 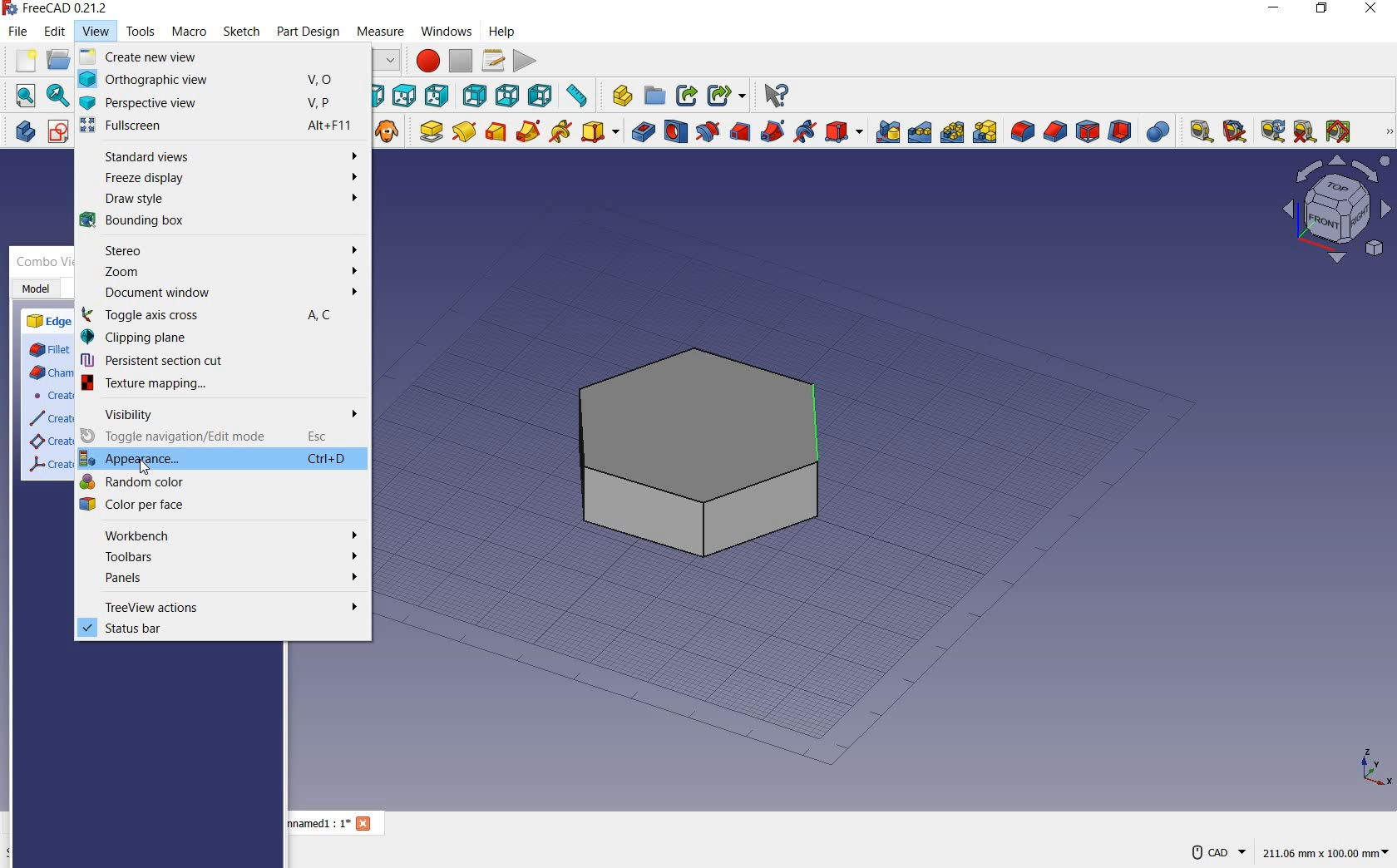 What do you see at coordinates (145, 468) in the screenshot?
I see `cursor` at bounding box center [145, 468].